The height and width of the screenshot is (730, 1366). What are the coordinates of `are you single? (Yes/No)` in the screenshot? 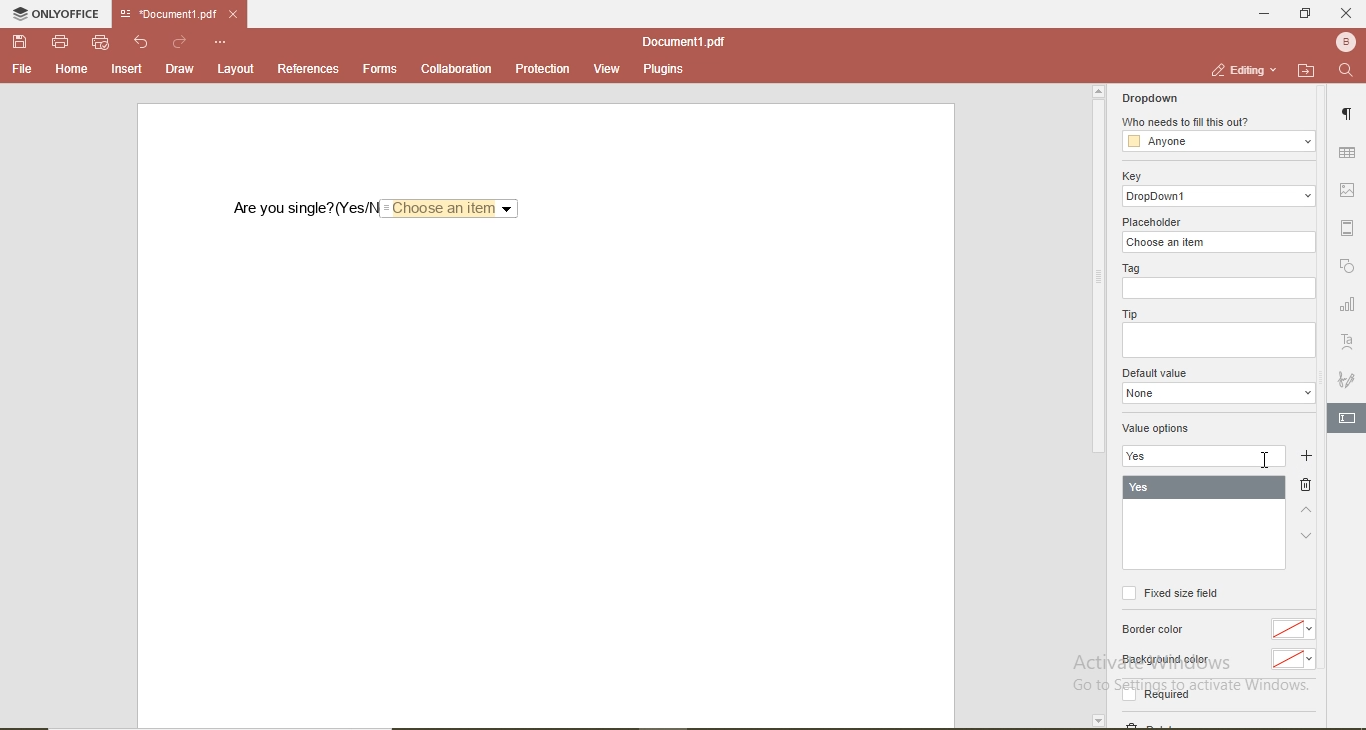 It's located at (304, 209).